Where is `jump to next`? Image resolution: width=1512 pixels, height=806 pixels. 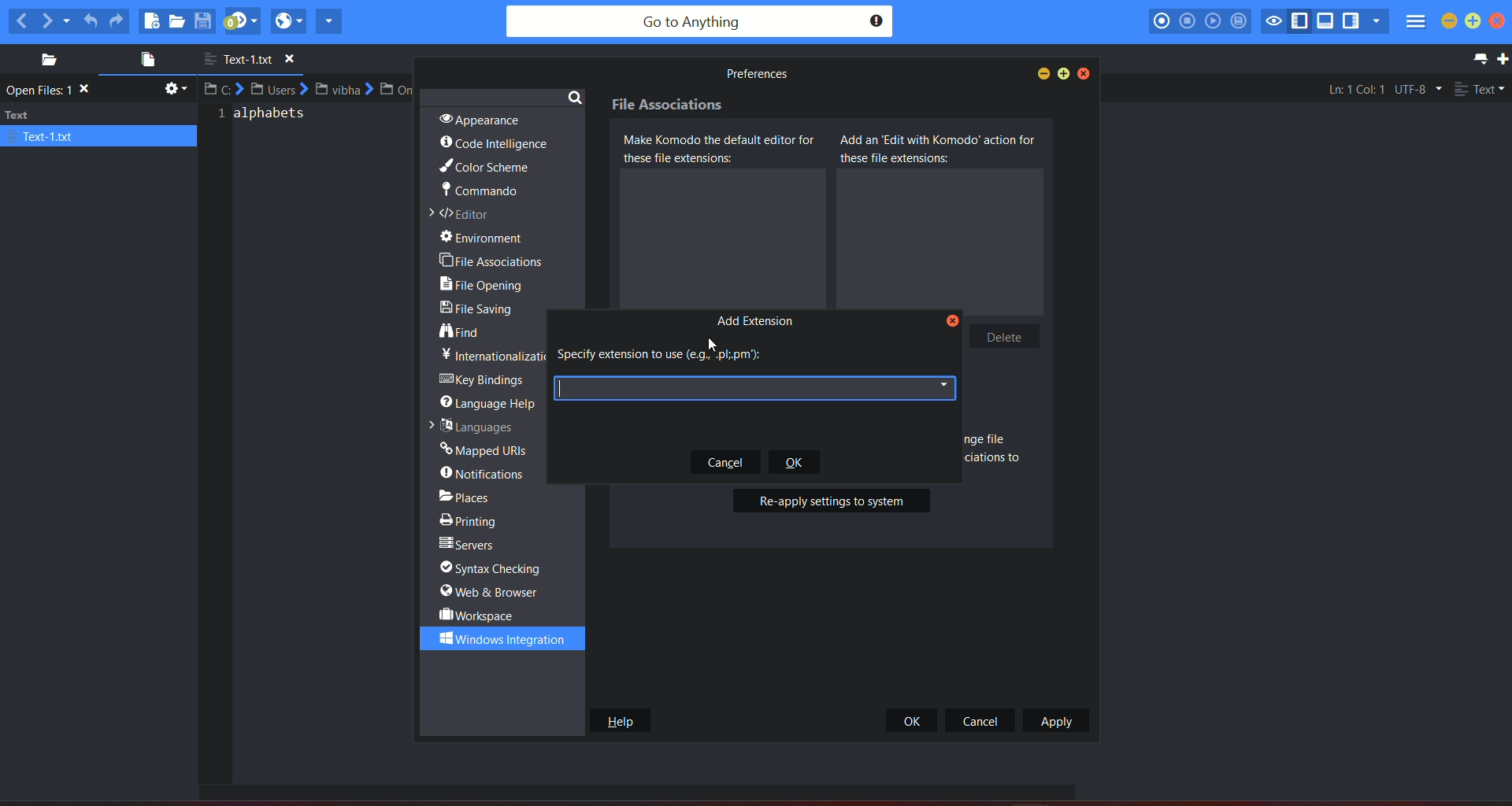 jump to next is located at coordinates (242, 21).